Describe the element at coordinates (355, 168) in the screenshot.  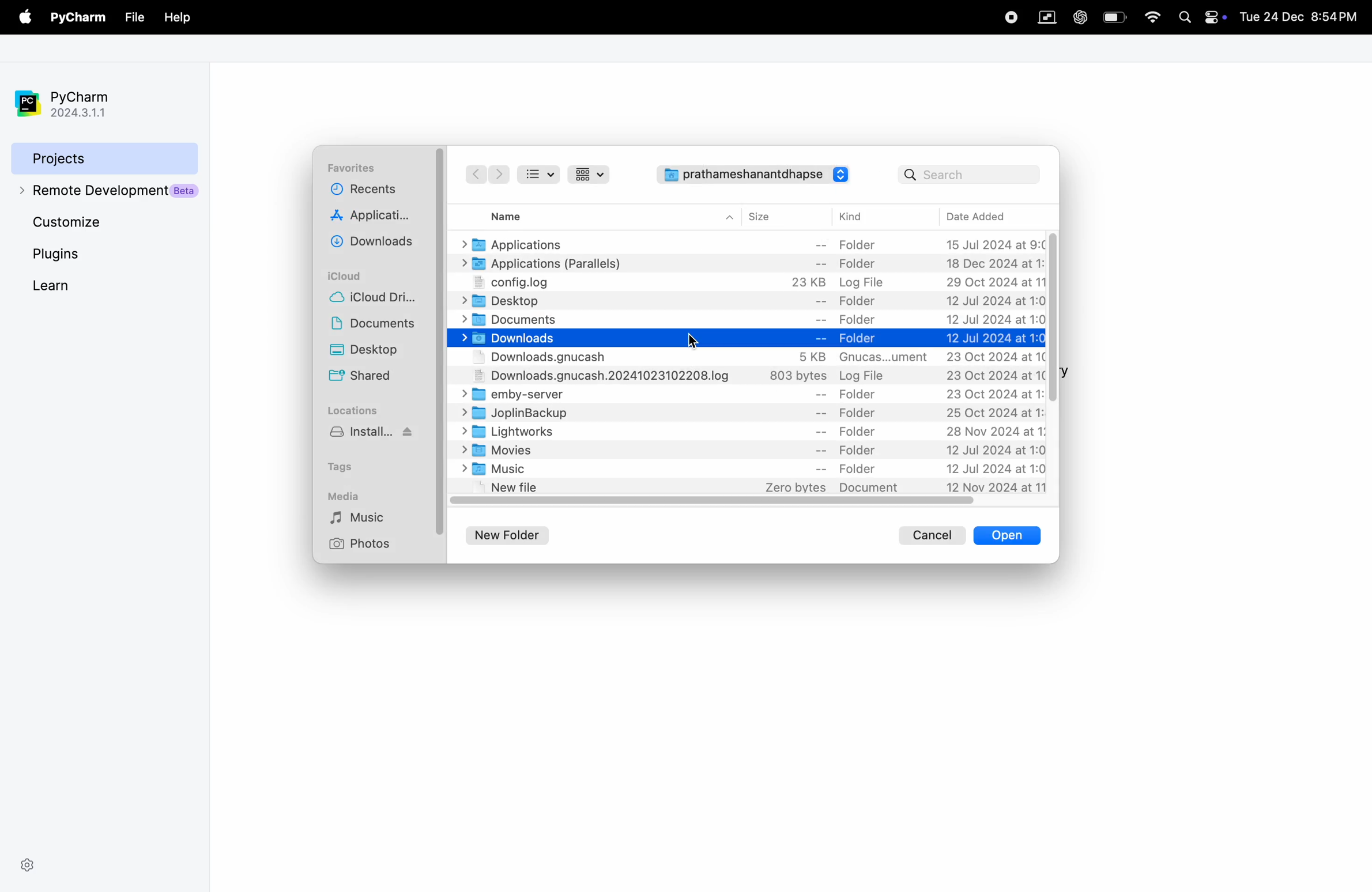
I see `favourites` at that location.